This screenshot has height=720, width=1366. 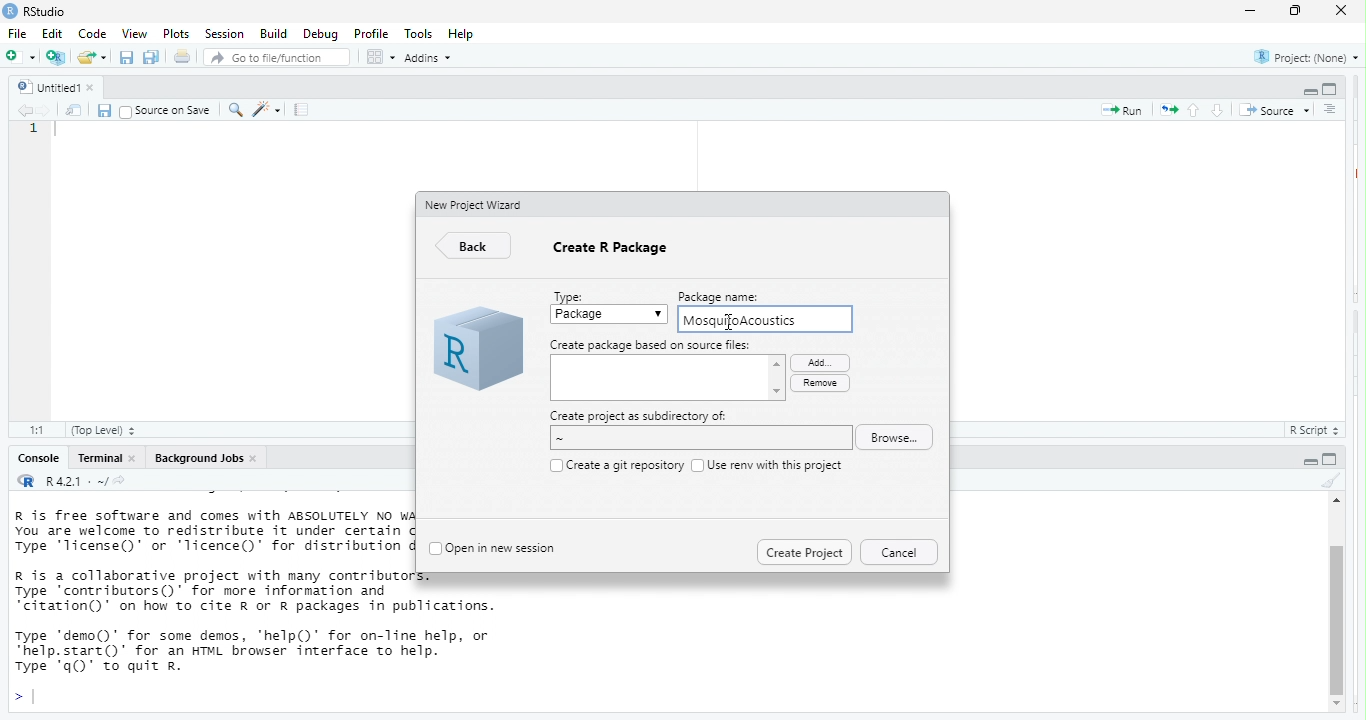 What do you see at coordinates (45, 109) in the screenshot?
I see `go forward to the next source location` at bounding box center [45, 109].